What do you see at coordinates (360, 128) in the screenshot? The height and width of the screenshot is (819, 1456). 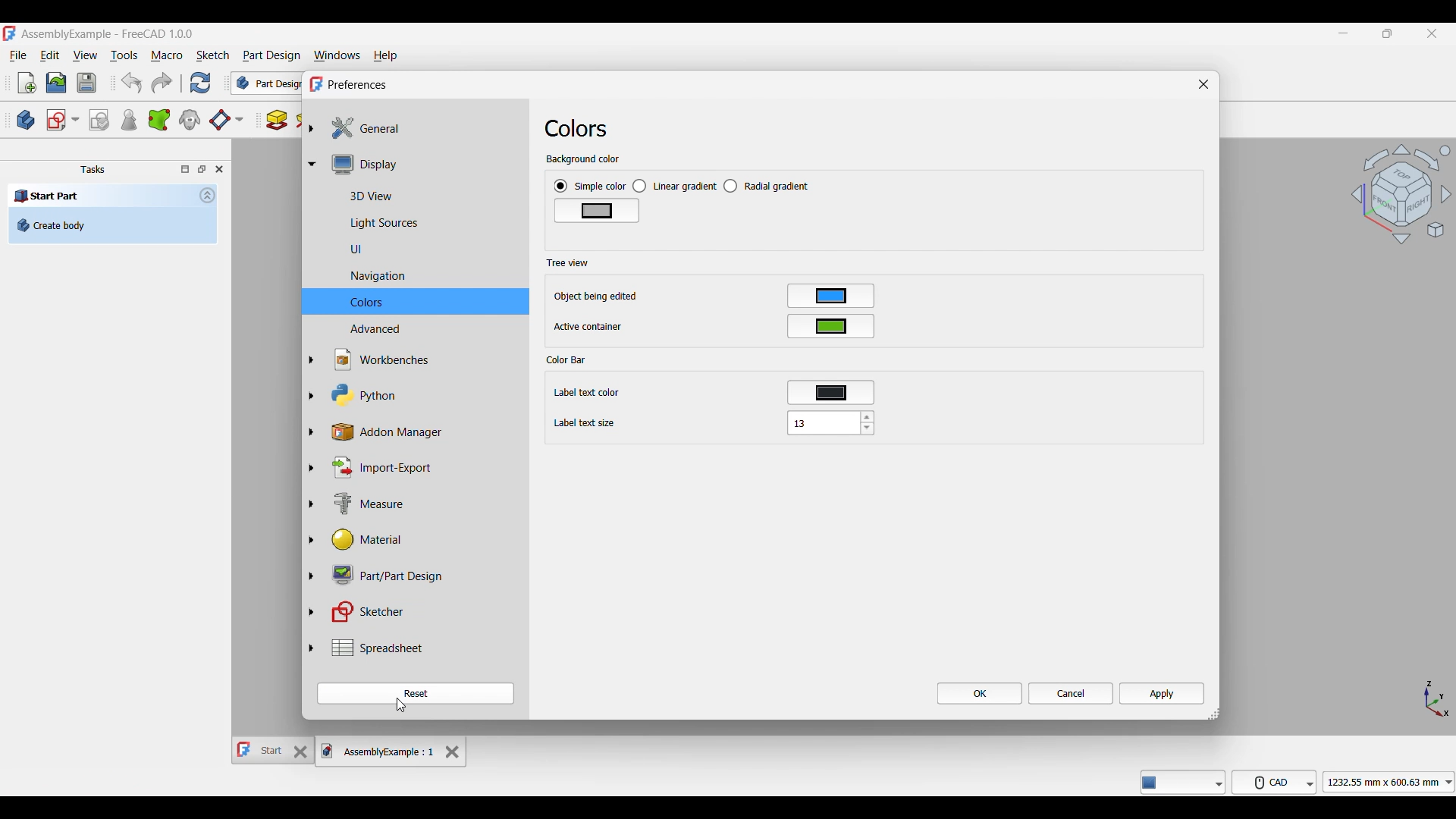 I see `General settings` at bounding box center [360, 128].